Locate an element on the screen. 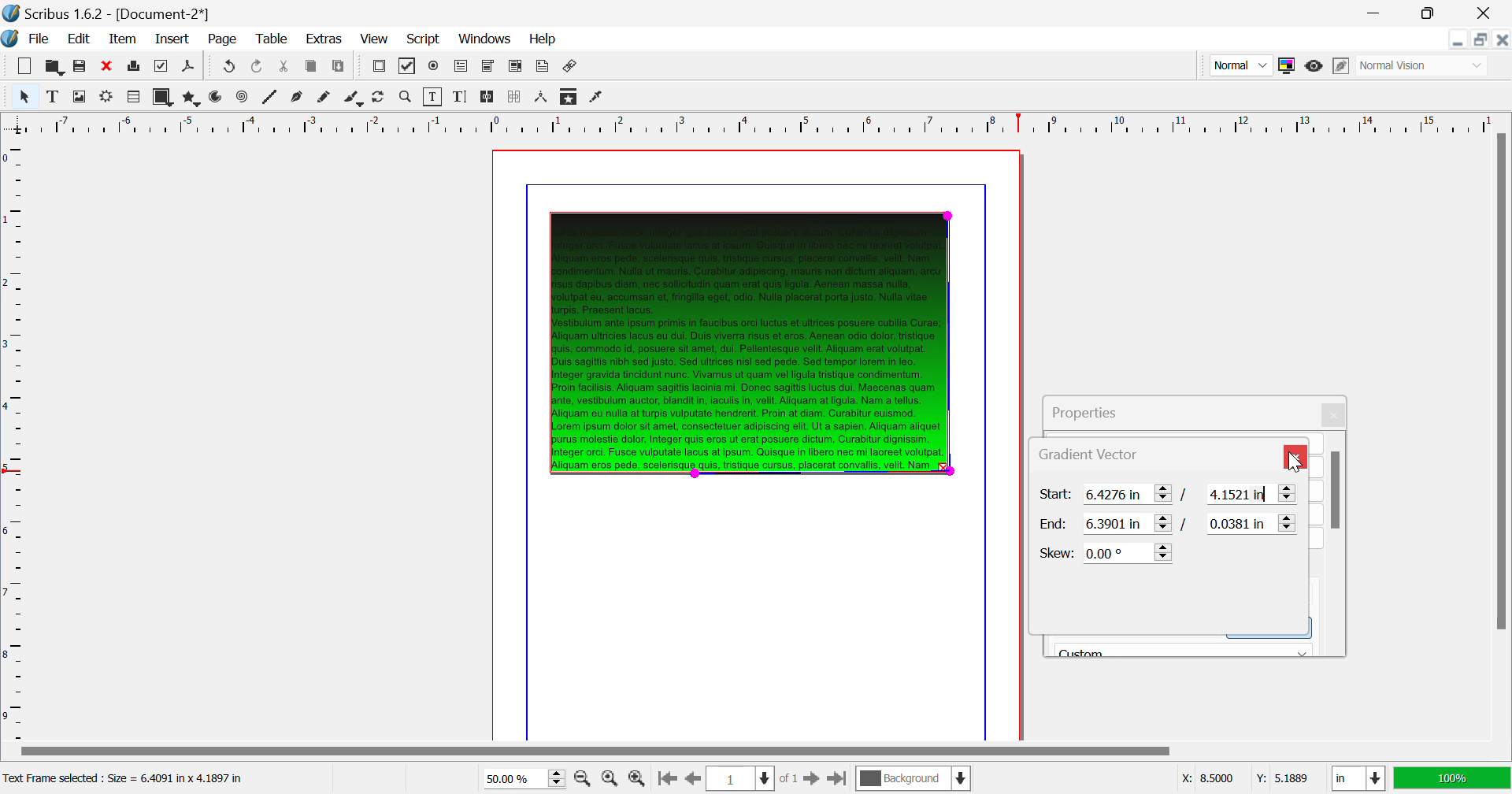 This screenshot has height=794, width=1512. Restore Down is located at coordinates (1378, 13).